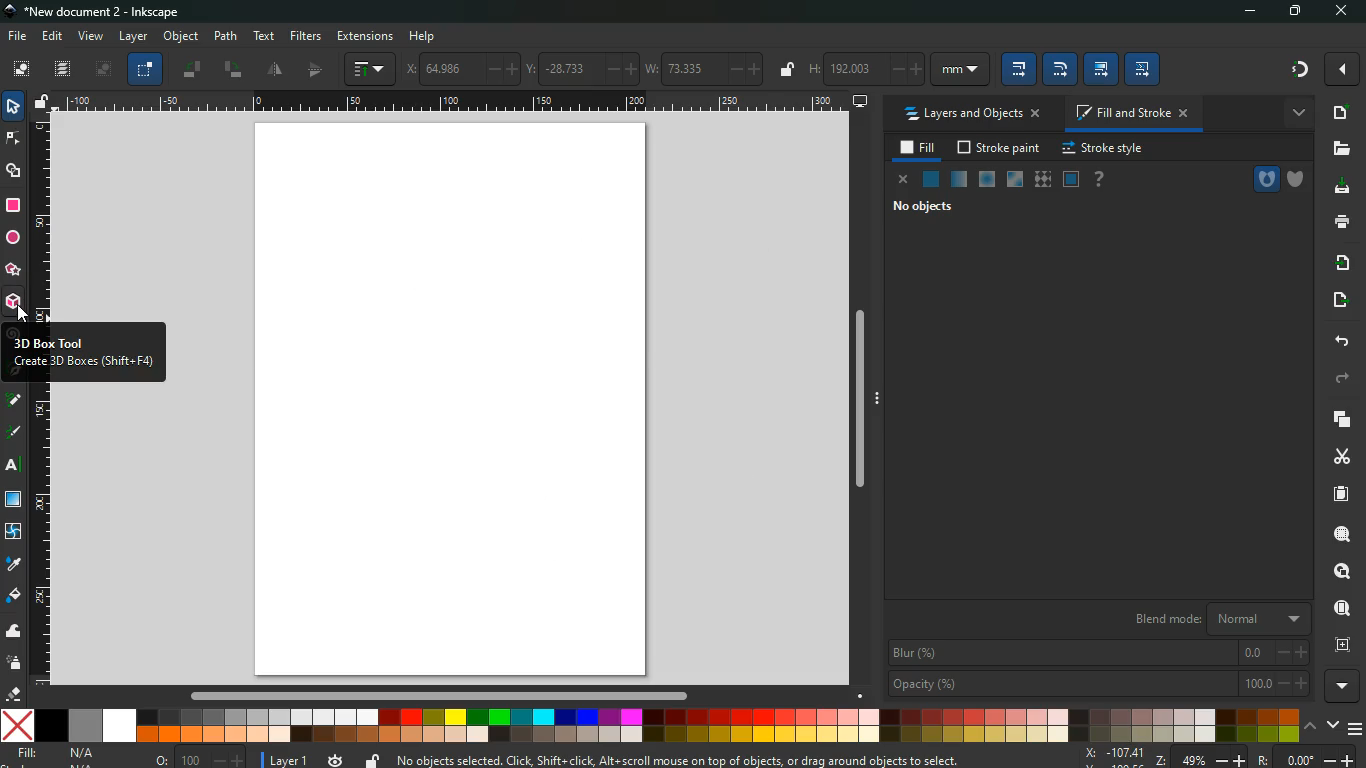 This screenshot has width=1366, height=768. Describe the element at coordinates (866, 401) in the screenshot. I see `Scroll bar` at that location.